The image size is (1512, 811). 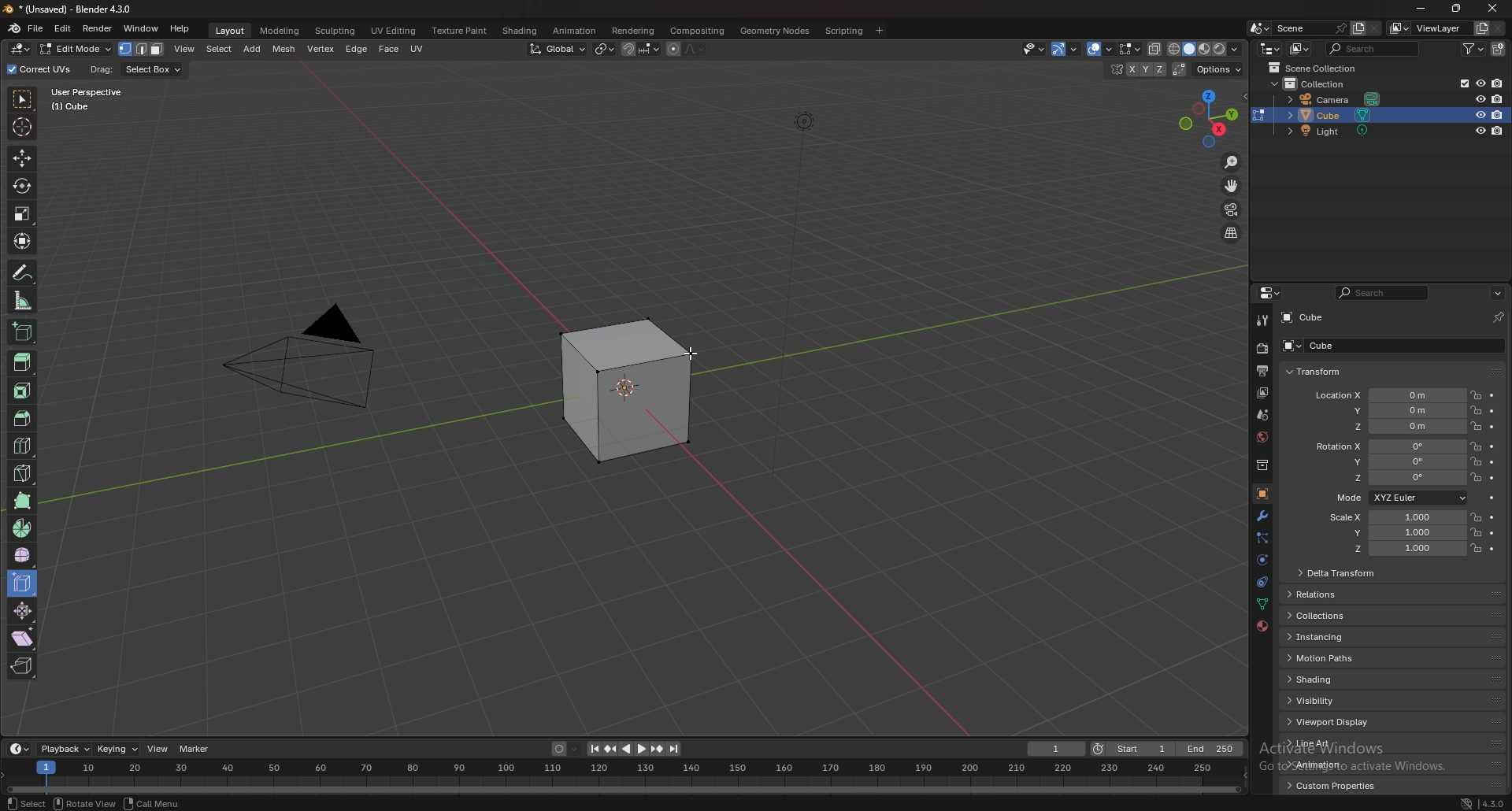 What do you see at coordinates (1368, 346) in the screenshot?
I see `cube` at bounding box center [1368, 346].